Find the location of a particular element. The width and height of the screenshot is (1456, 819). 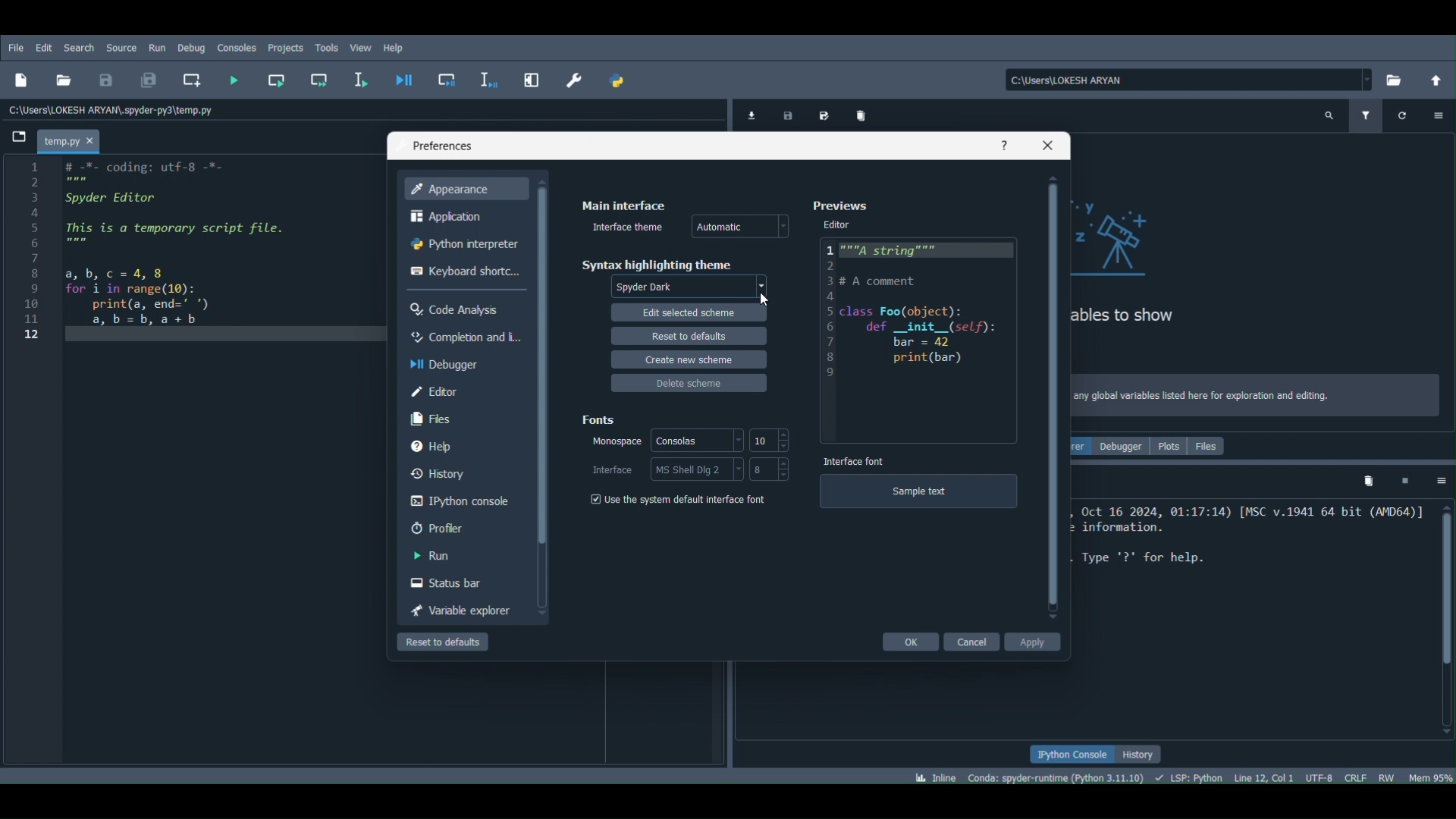

Preferences is located at coordinates (438, 145).